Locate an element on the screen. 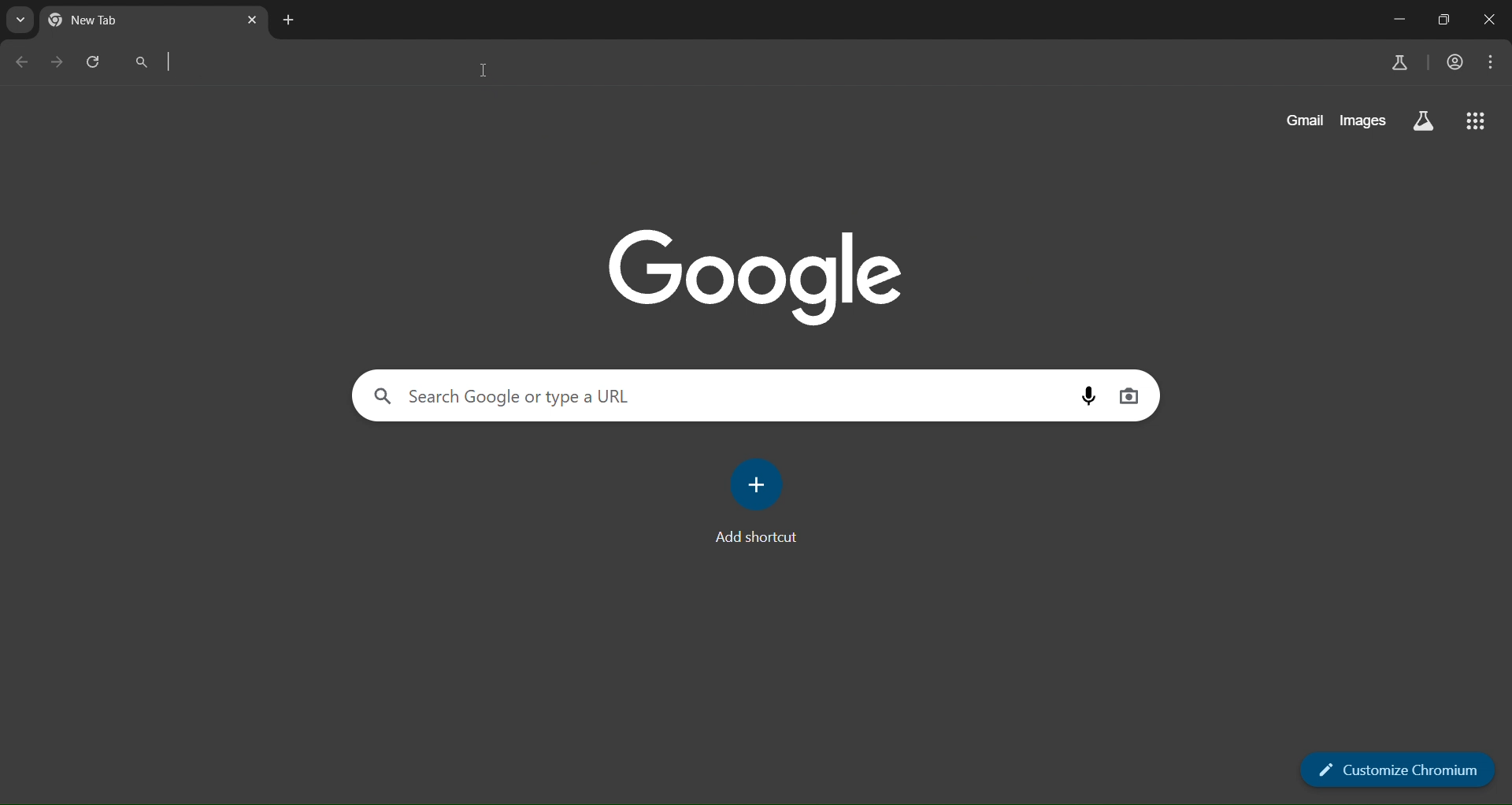 This screenshot has height=805, width=1512. restore down is located at coordinates (1447, 20).